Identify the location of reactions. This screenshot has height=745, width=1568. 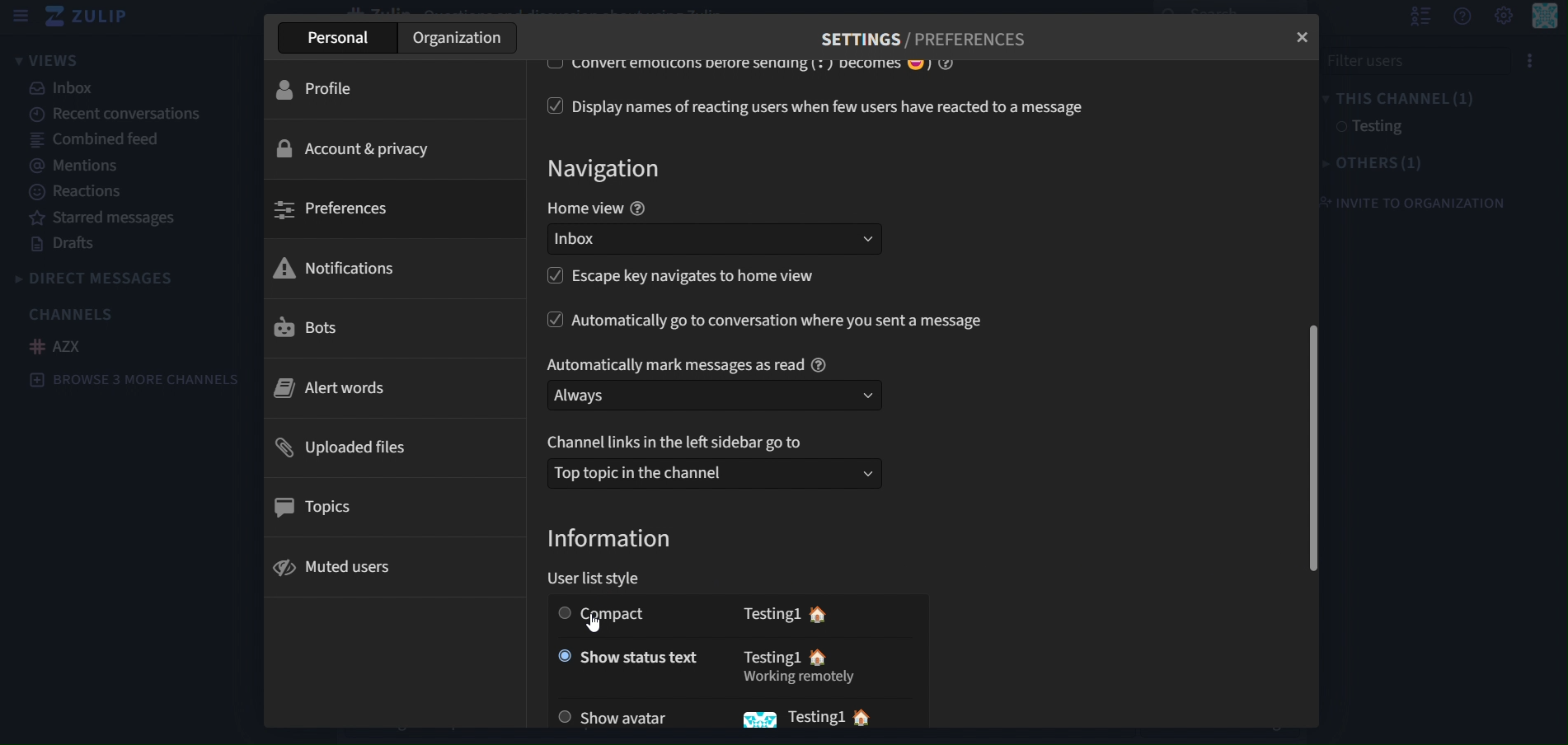
(89, 192).